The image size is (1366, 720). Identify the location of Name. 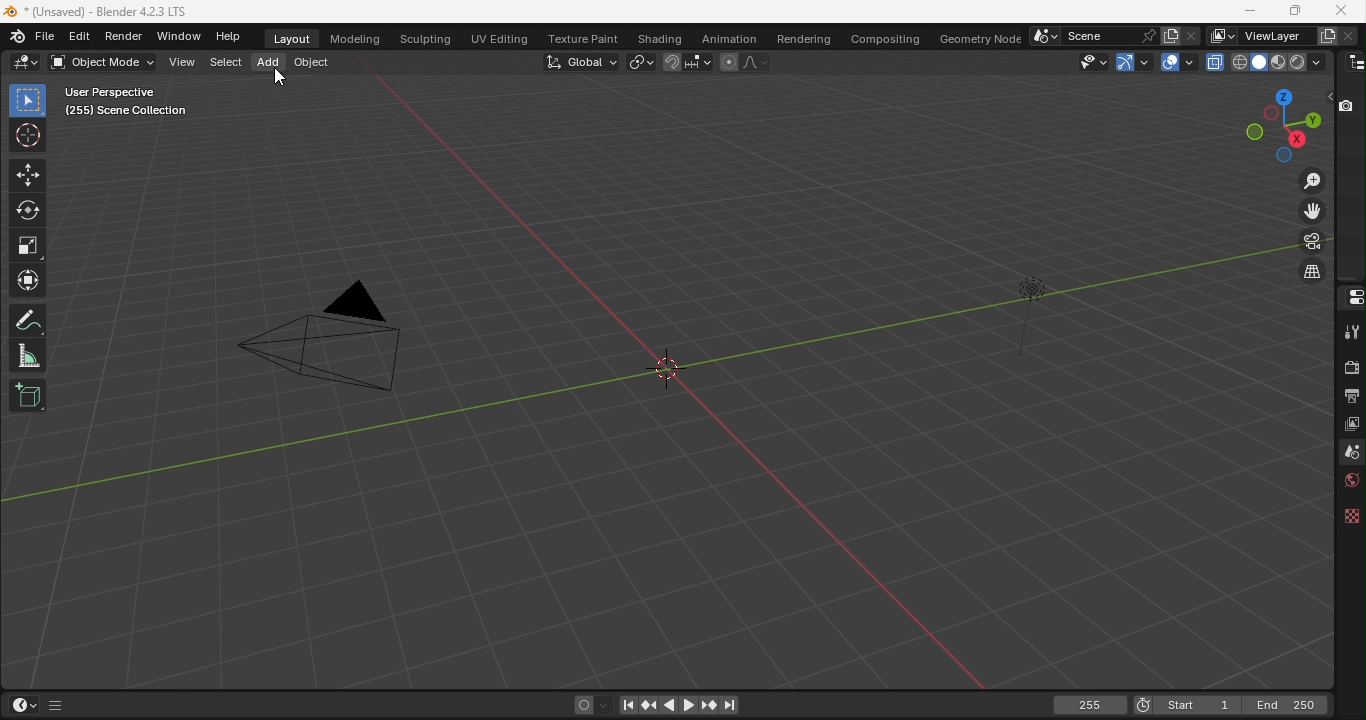
(1273, 34).